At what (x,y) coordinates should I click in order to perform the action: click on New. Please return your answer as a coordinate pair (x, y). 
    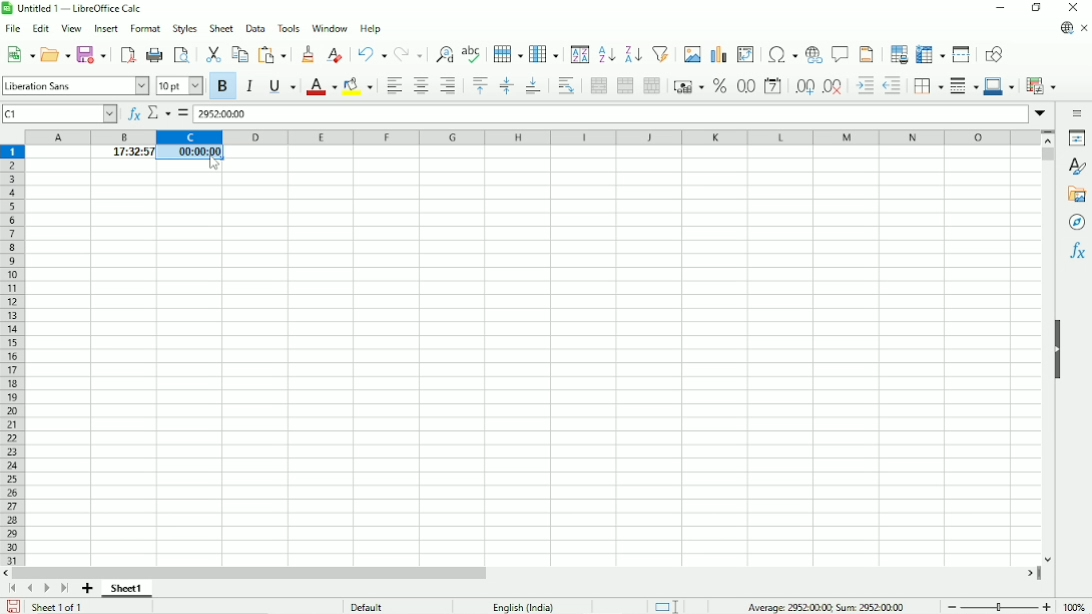
    Looking at the image, I should click on (21, 56).